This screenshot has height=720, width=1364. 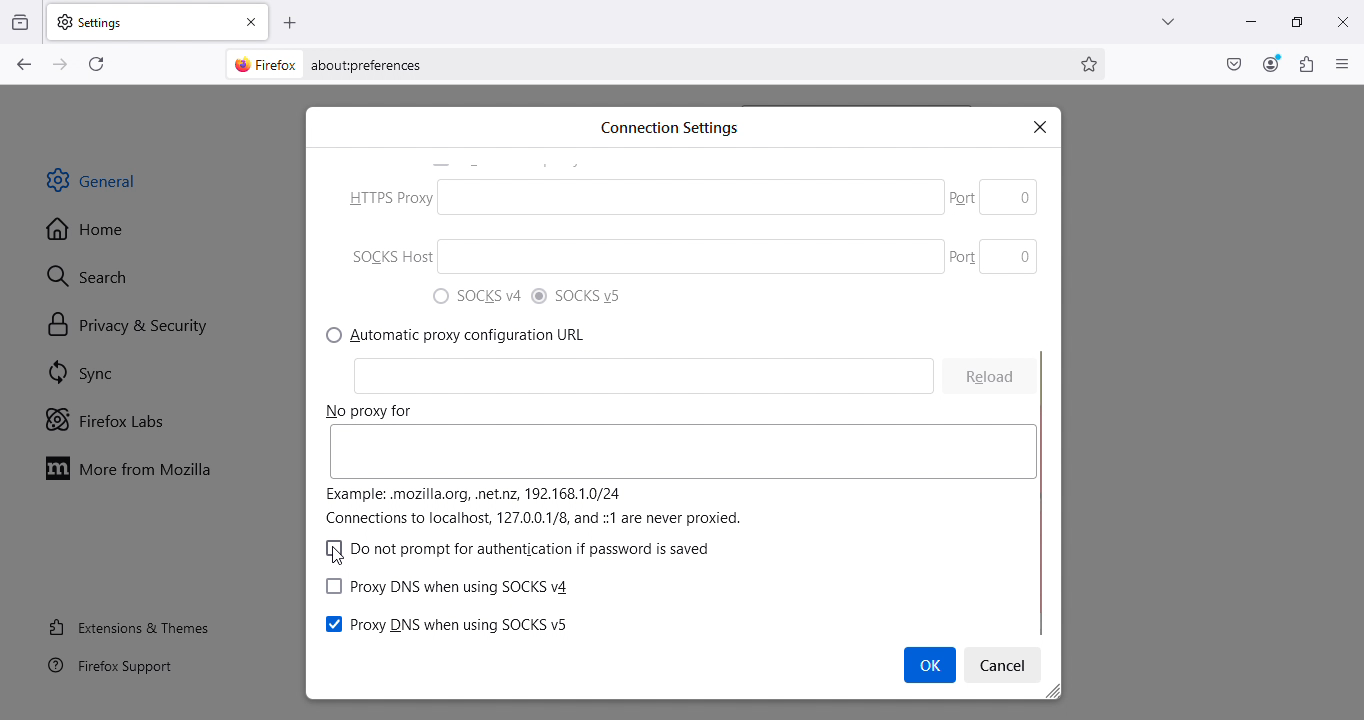 I want to click on cursor, so click(x=340, y=558).